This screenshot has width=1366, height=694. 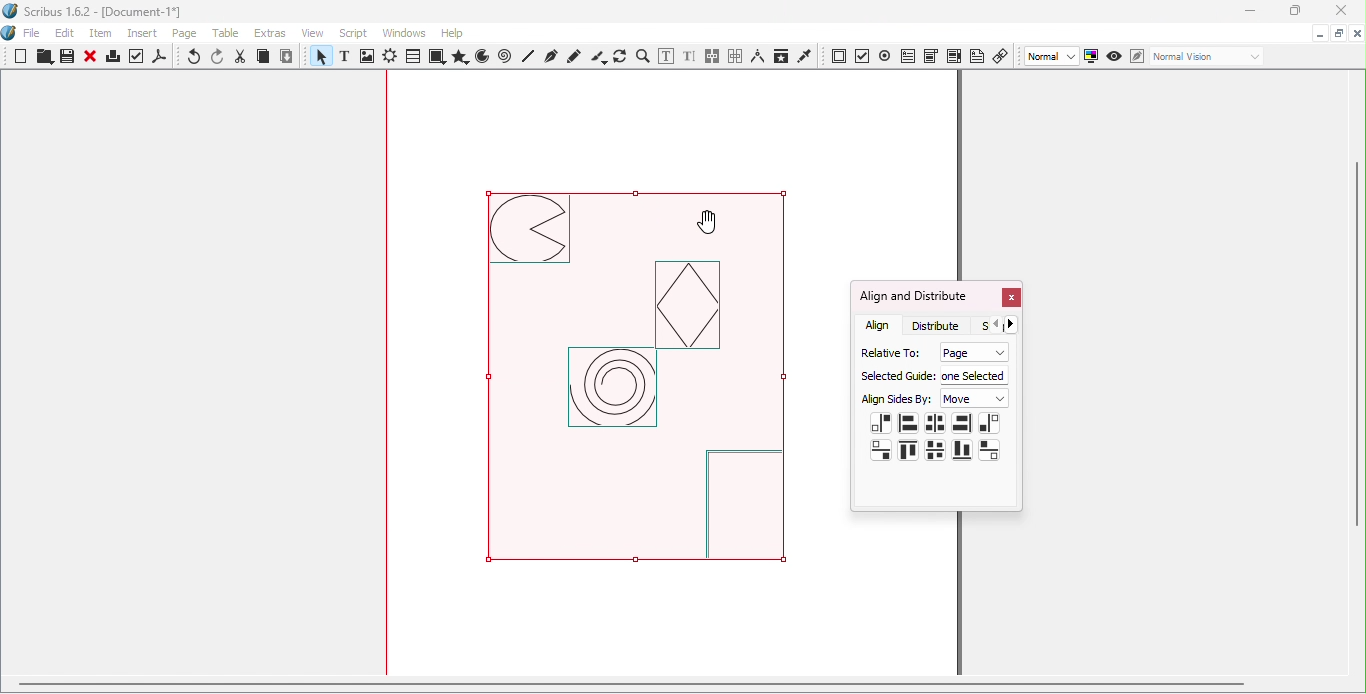 I want to click on Shapes, so click(x=436, y=57).